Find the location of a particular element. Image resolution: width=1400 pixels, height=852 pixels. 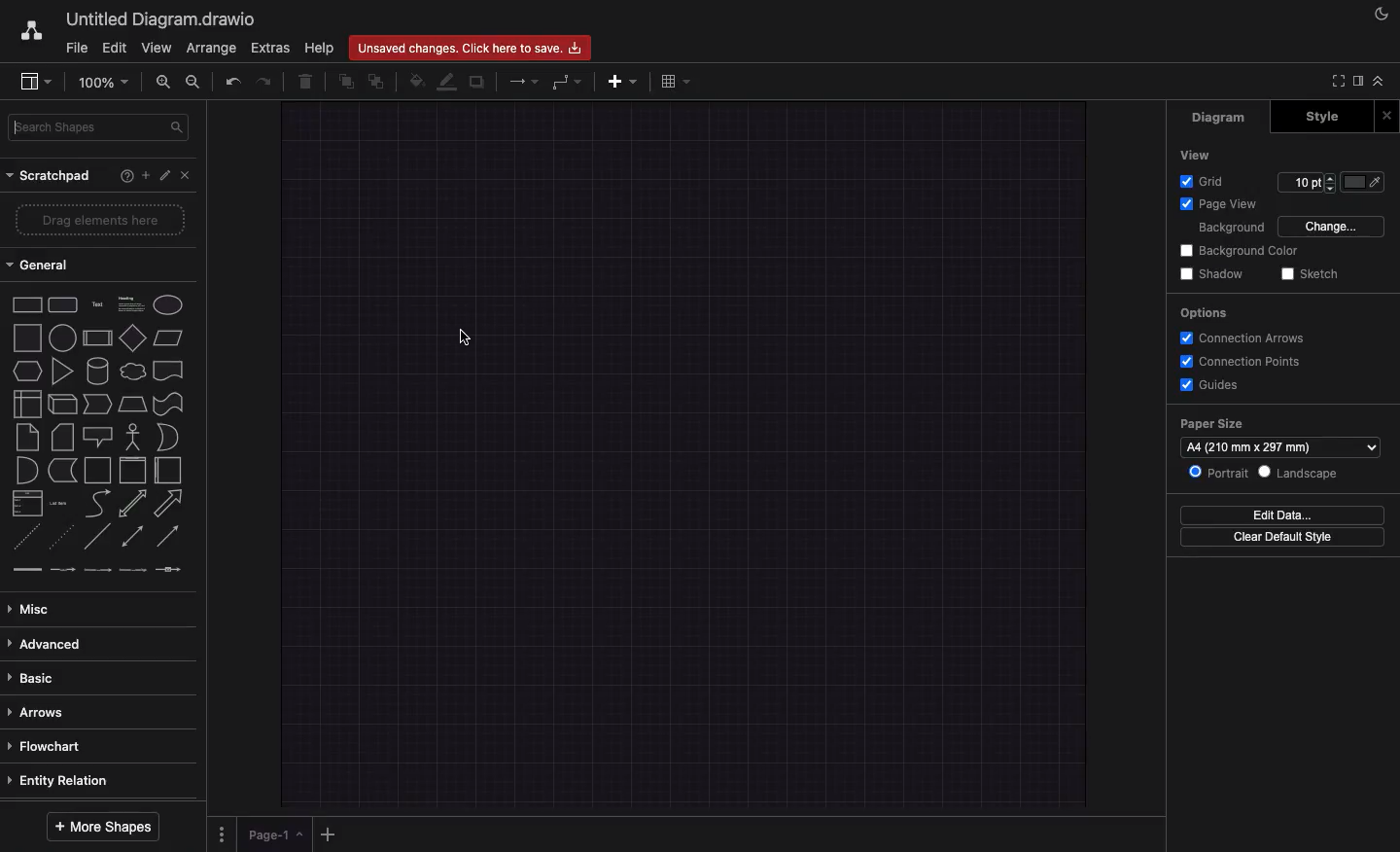

File is located at coordinates (75, 49).